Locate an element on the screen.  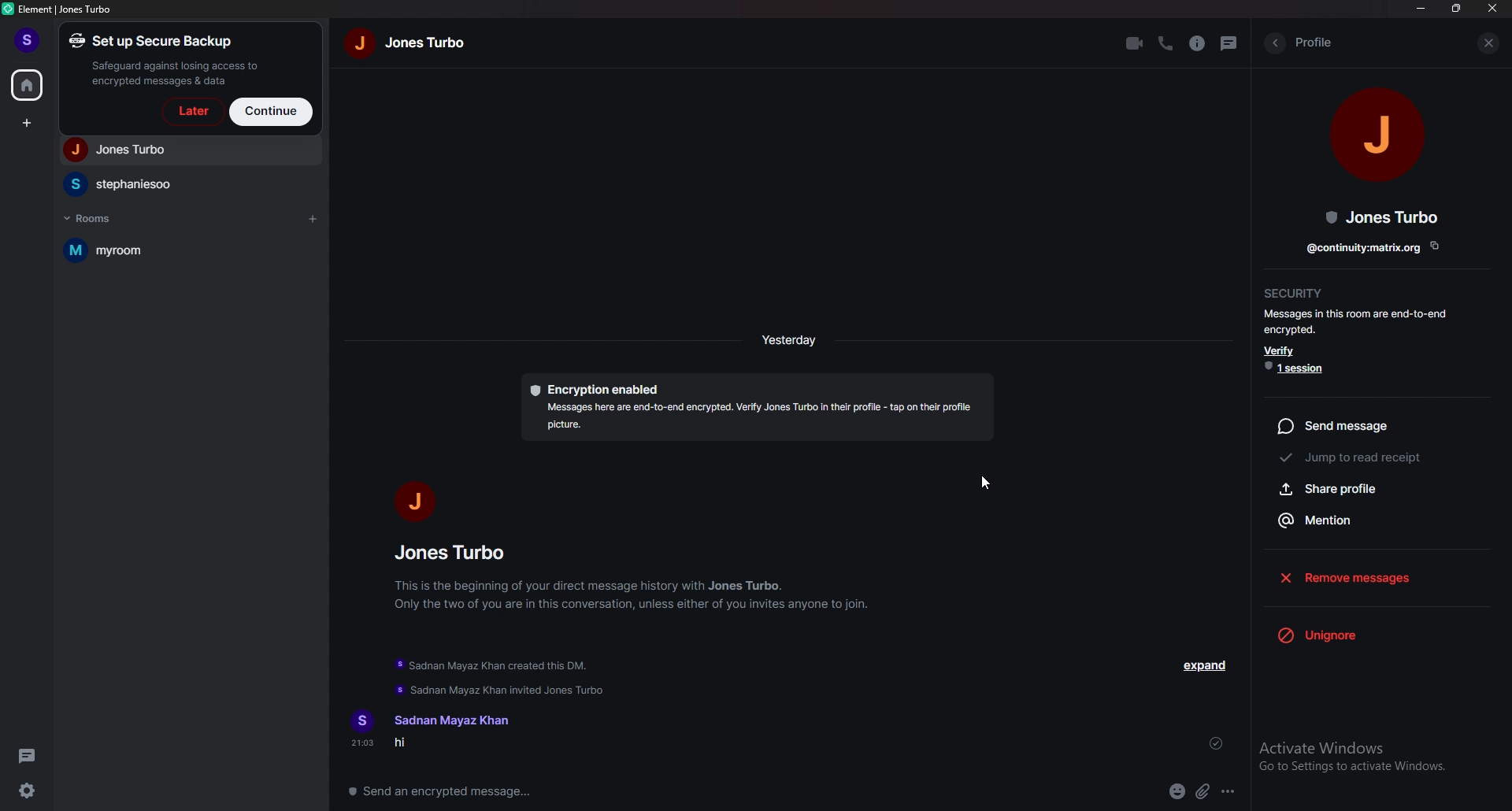
create space is located at coordinates (29, 124).